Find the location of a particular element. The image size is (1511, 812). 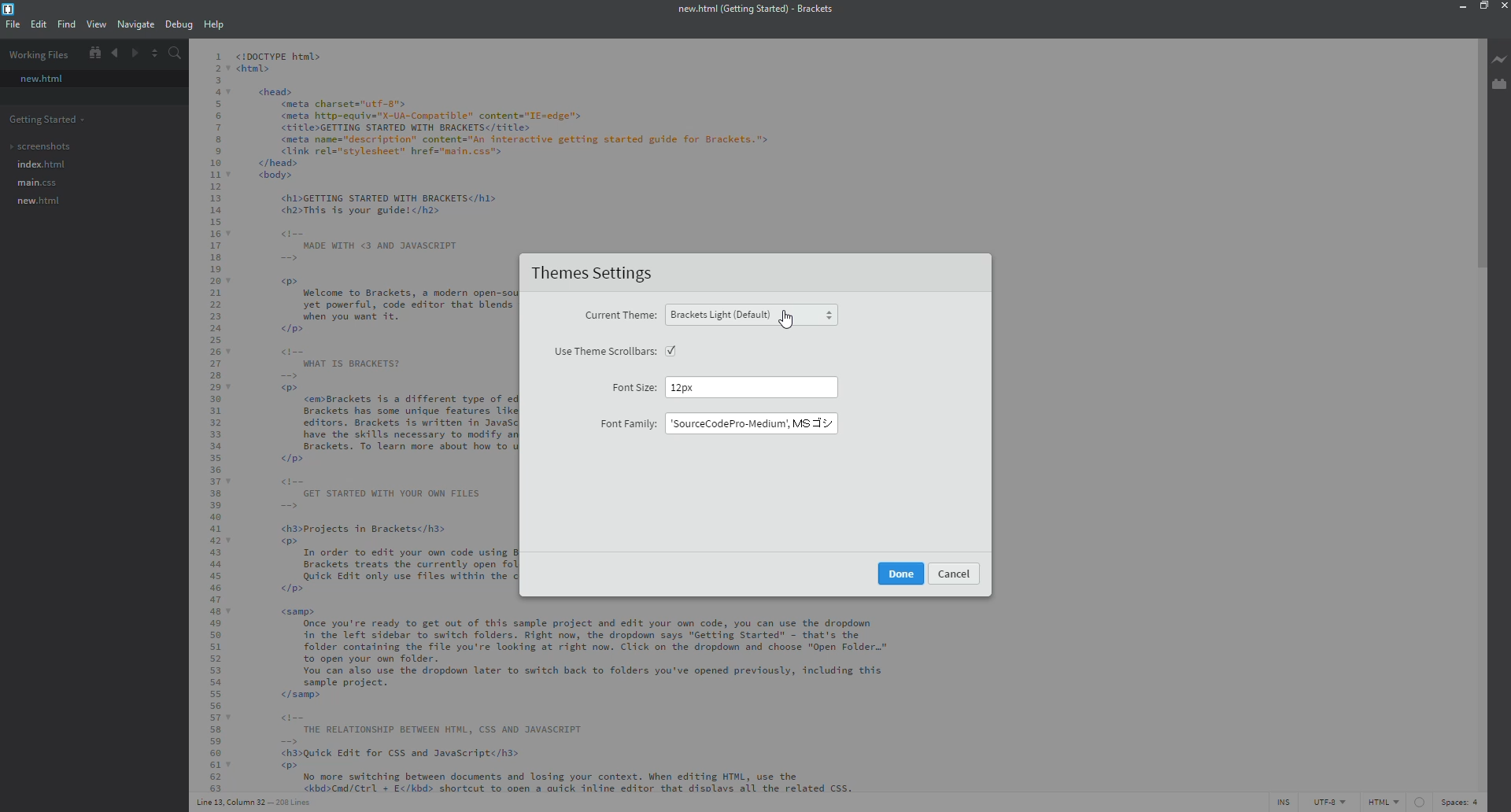

use themes scrollbar is located at coordinates (602, 352).